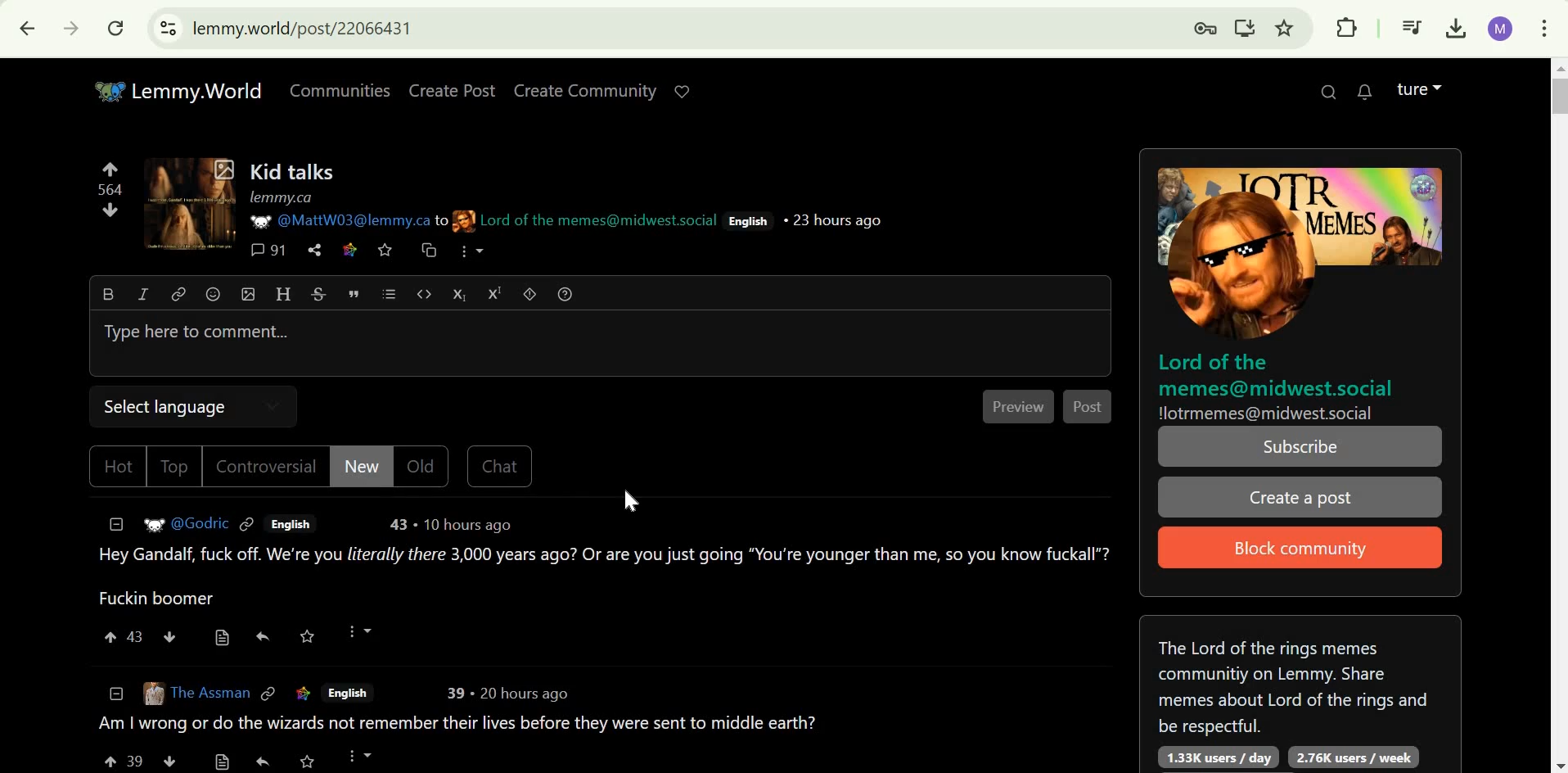  What do you see at coordinates (1558, 414) in the screenshot?
I see `Scrollbar` at bounding box center [1558, 414].